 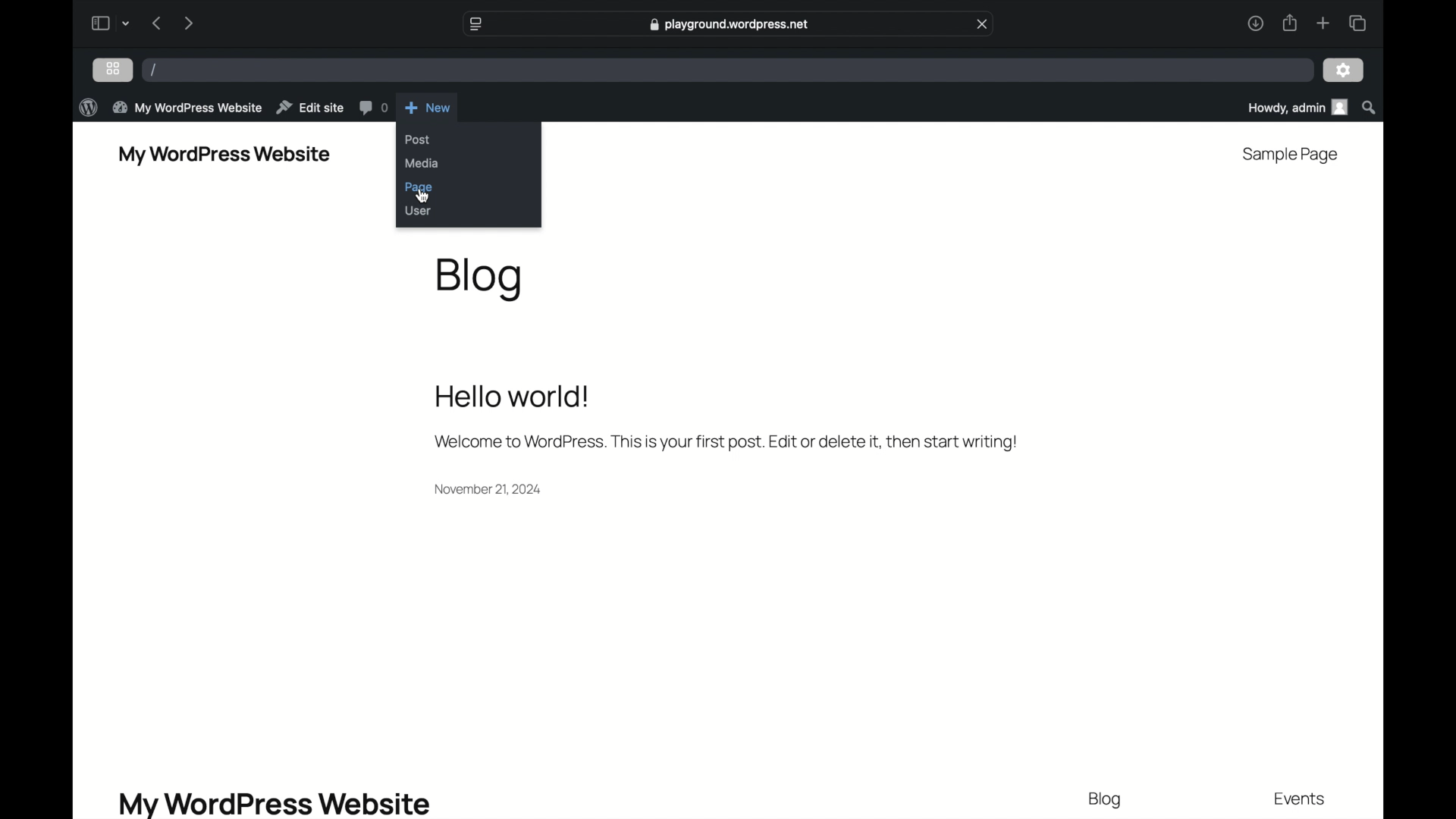 What do you see at coordinates (1323, 24) in the screenshot?
I see `new tab` at bounding box center [1323, 24].